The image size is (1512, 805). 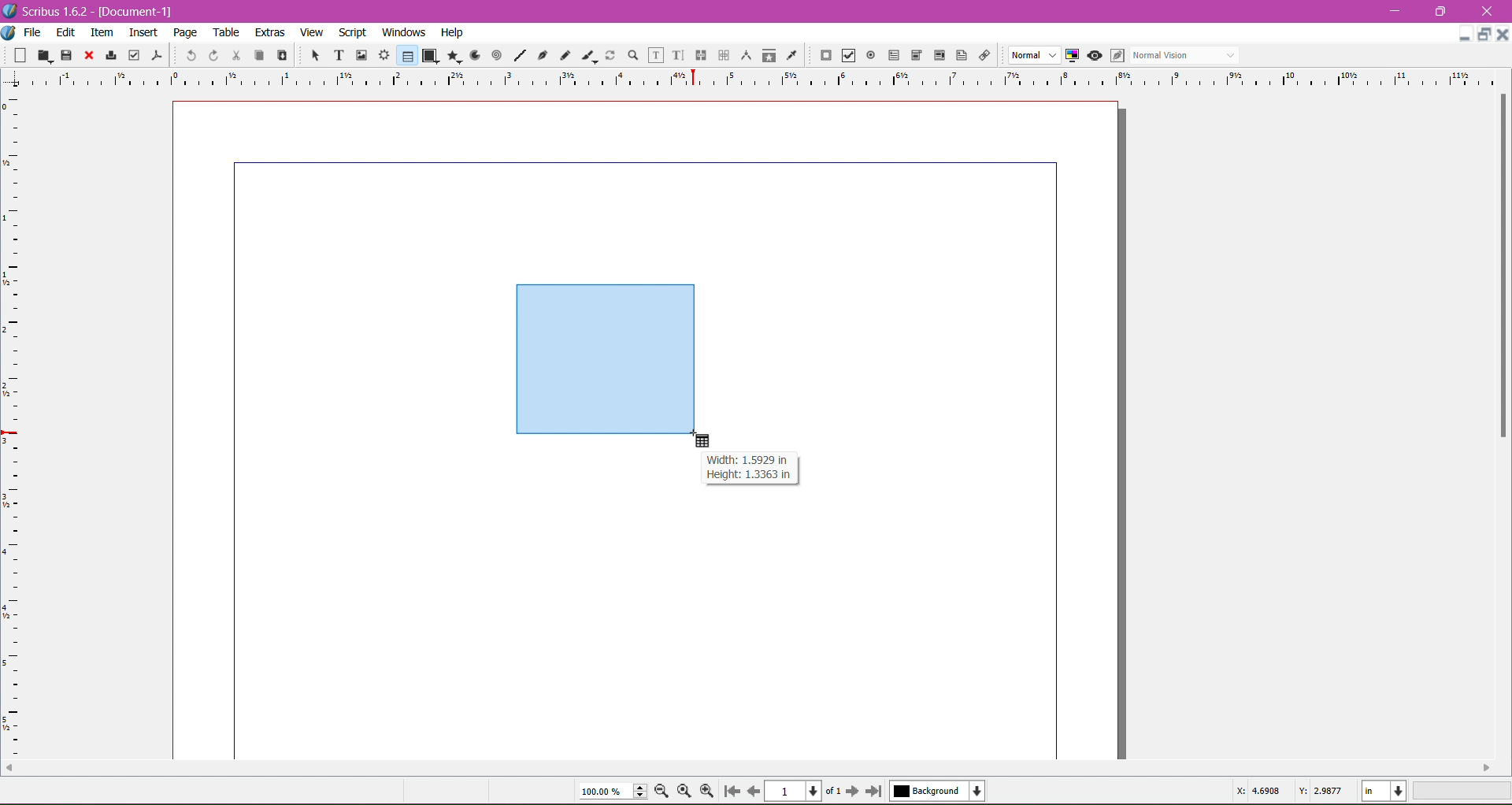 What do you see at coordinates (746, 766) in the screenshot?
I see `scroll bar` at bounding box center [746, 766].